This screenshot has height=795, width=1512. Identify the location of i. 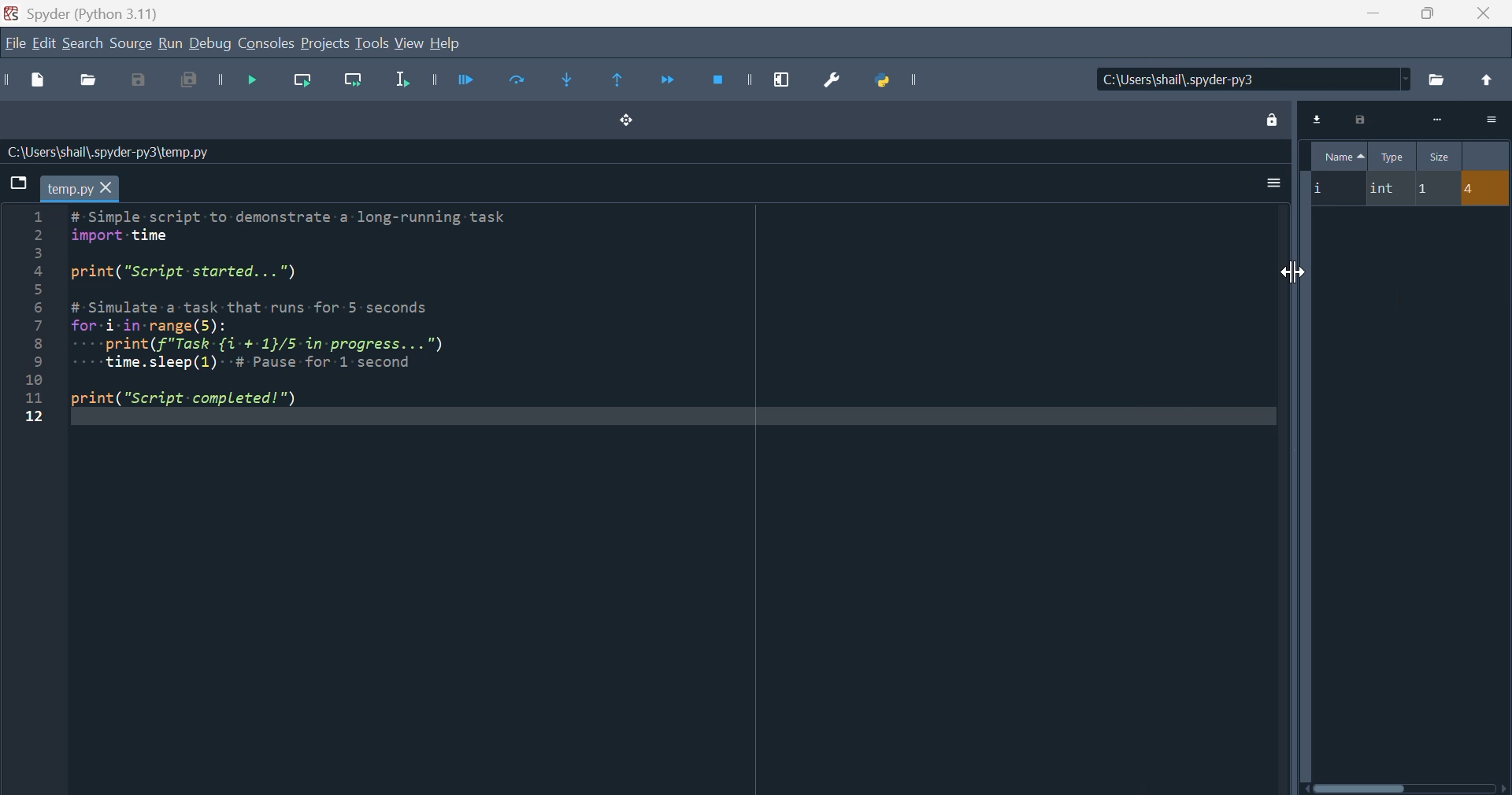
(1333, 189).